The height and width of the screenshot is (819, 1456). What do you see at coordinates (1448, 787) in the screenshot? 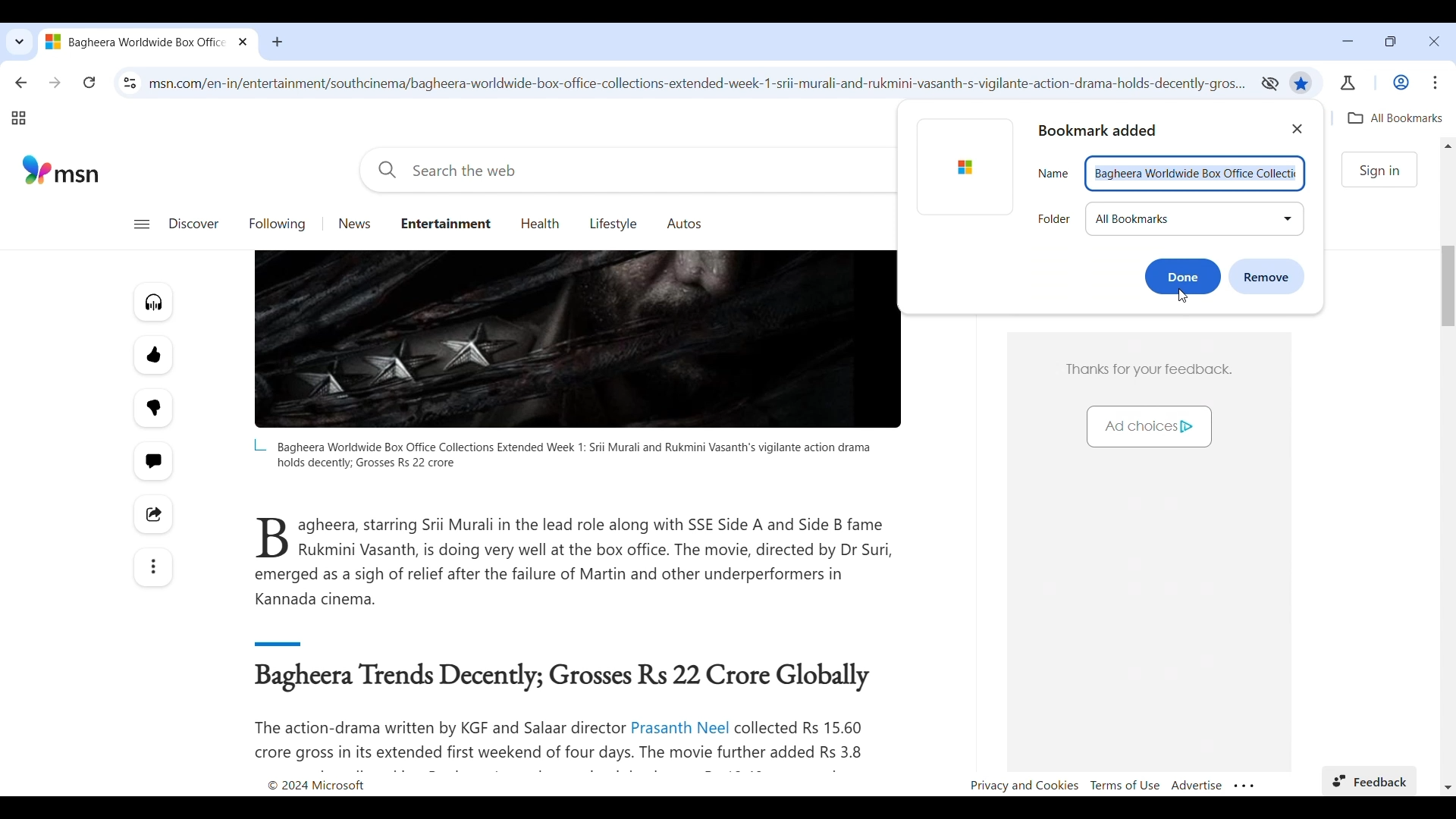
I see `Quick slide to bottom` at bounding box center [1448, 787].